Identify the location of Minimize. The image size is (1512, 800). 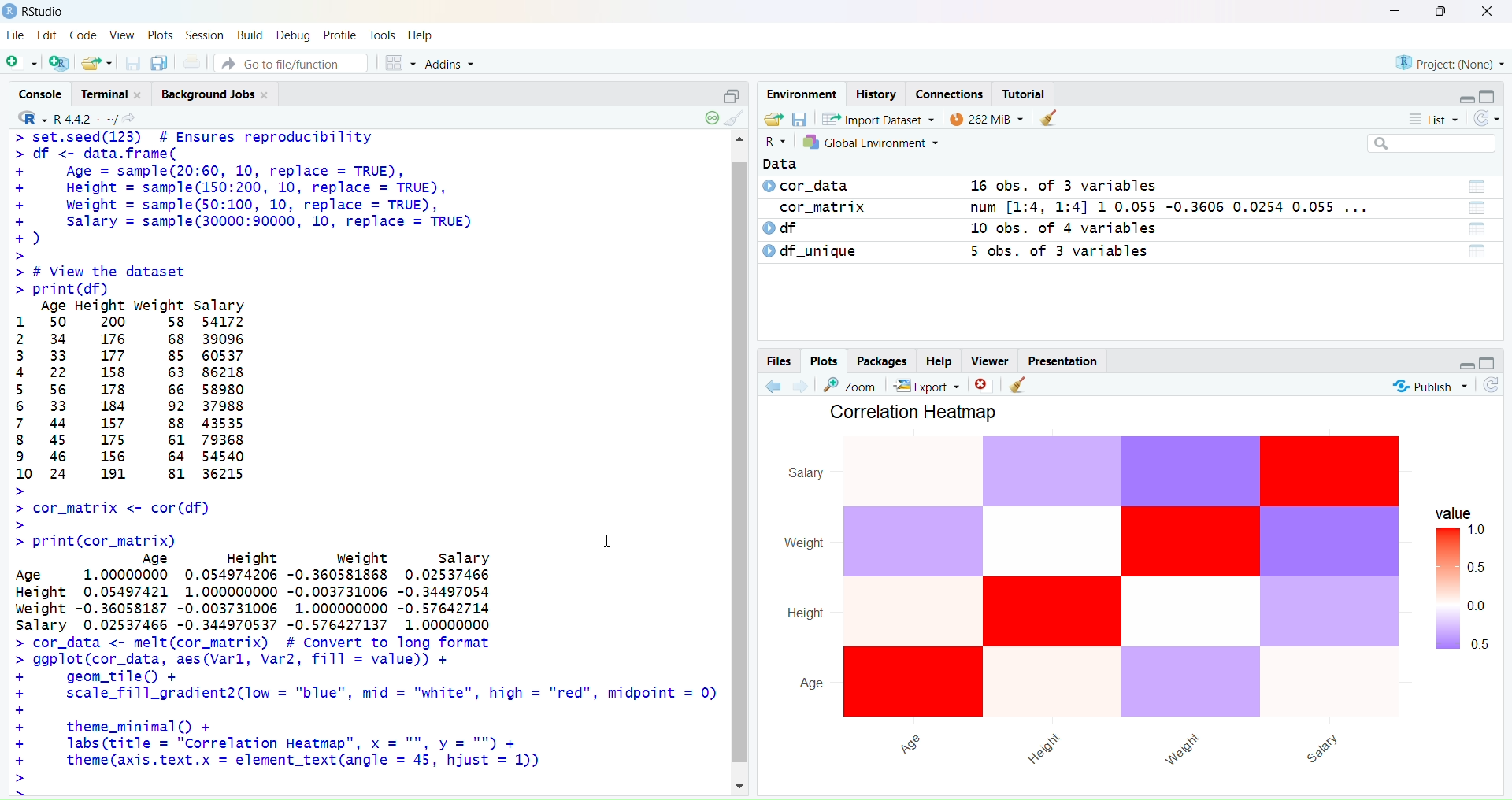
(1466, 96).